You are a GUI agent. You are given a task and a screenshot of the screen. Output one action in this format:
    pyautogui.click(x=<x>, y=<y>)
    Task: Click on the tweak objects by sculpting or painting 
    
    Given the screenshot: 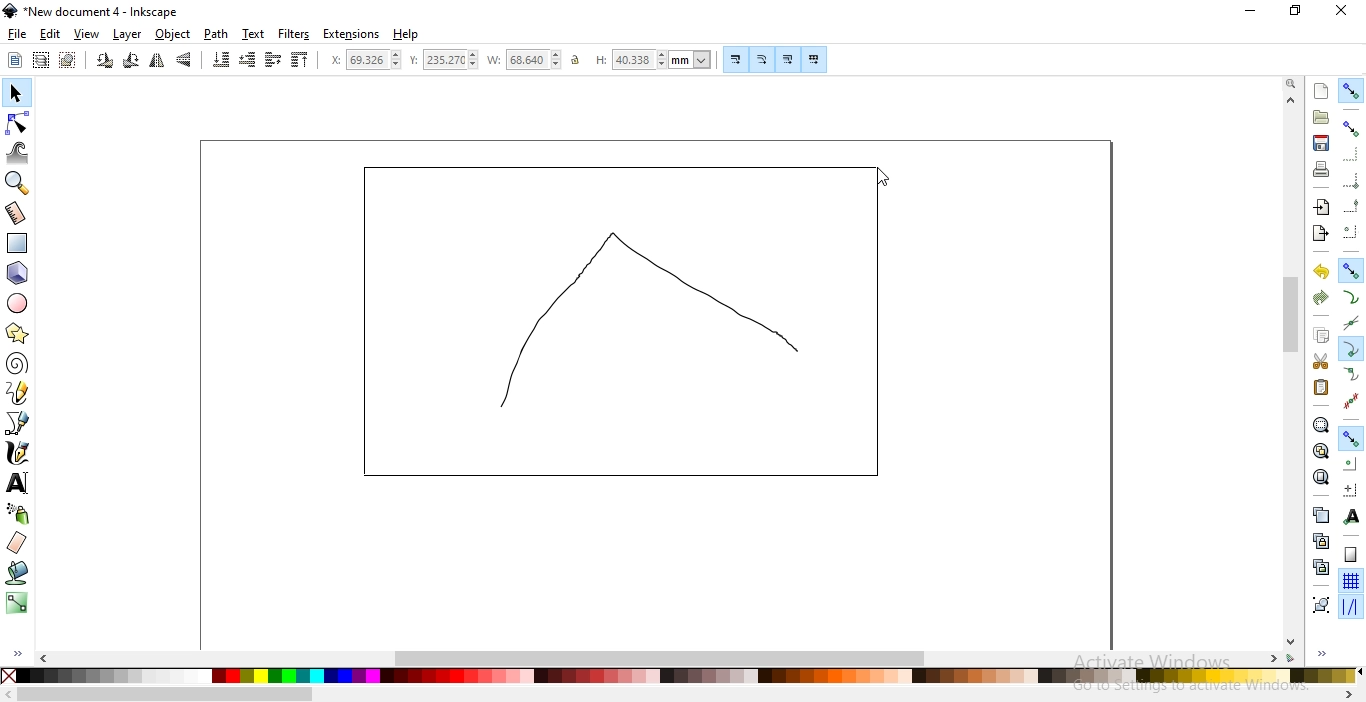 What is the action you would take?
    pyautogui.click(x=18, y=153)
    